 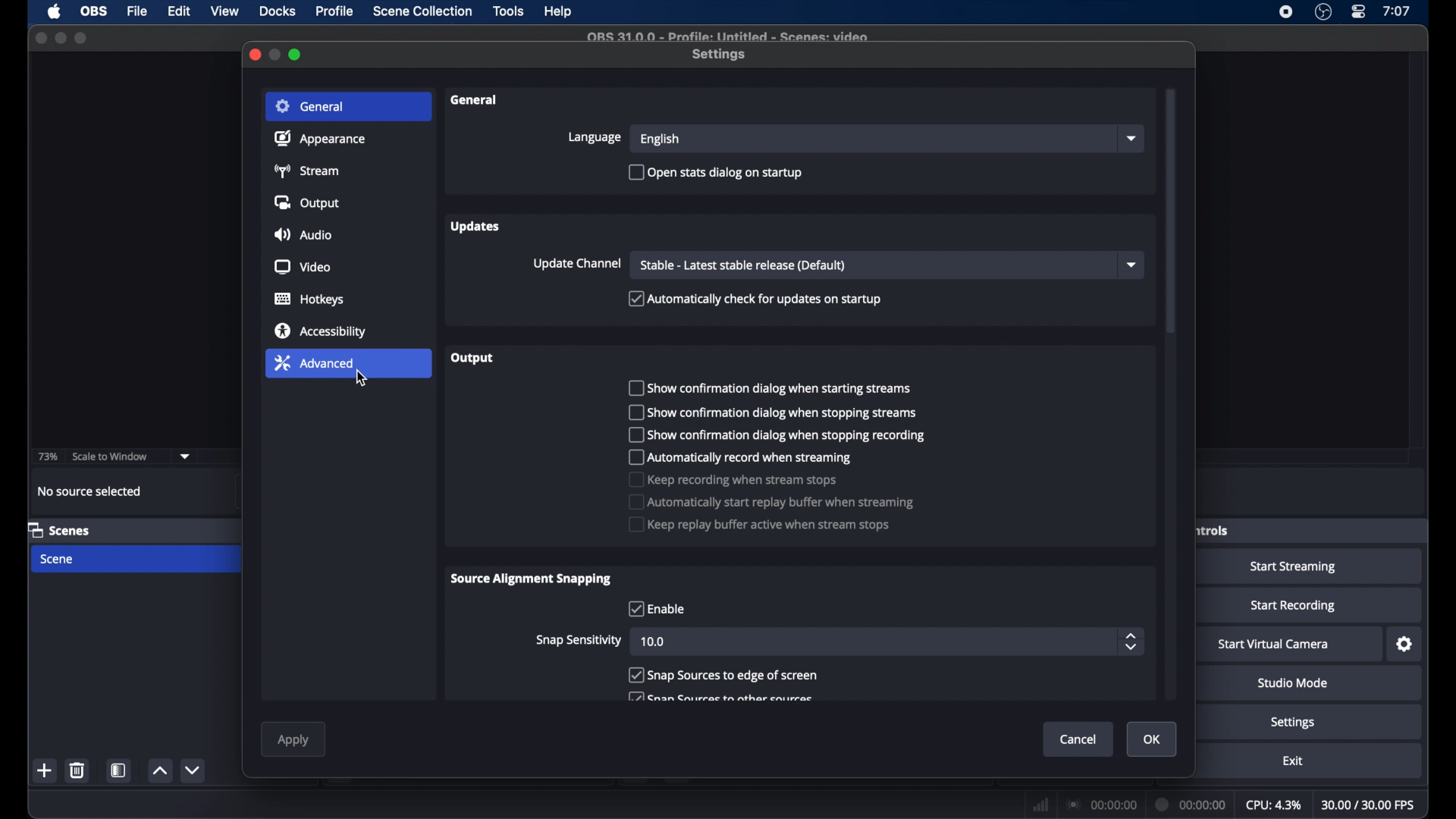 What do you see at coordinates (1214, 531) in the screenshot?
I see `obscure label` at bounding box center [1214, 531].